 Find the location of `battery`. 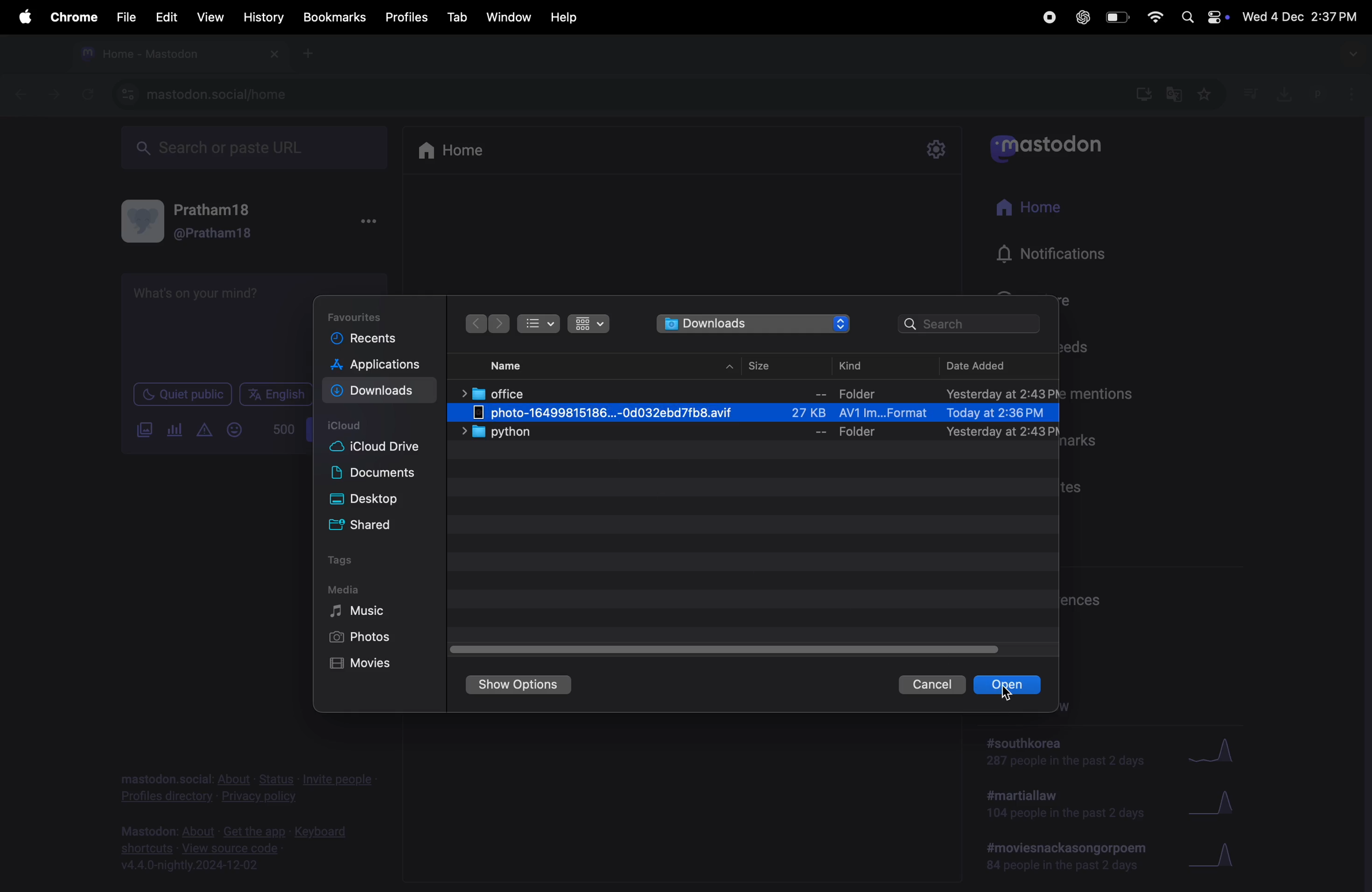

battery is located at coordinates (1115, 18).